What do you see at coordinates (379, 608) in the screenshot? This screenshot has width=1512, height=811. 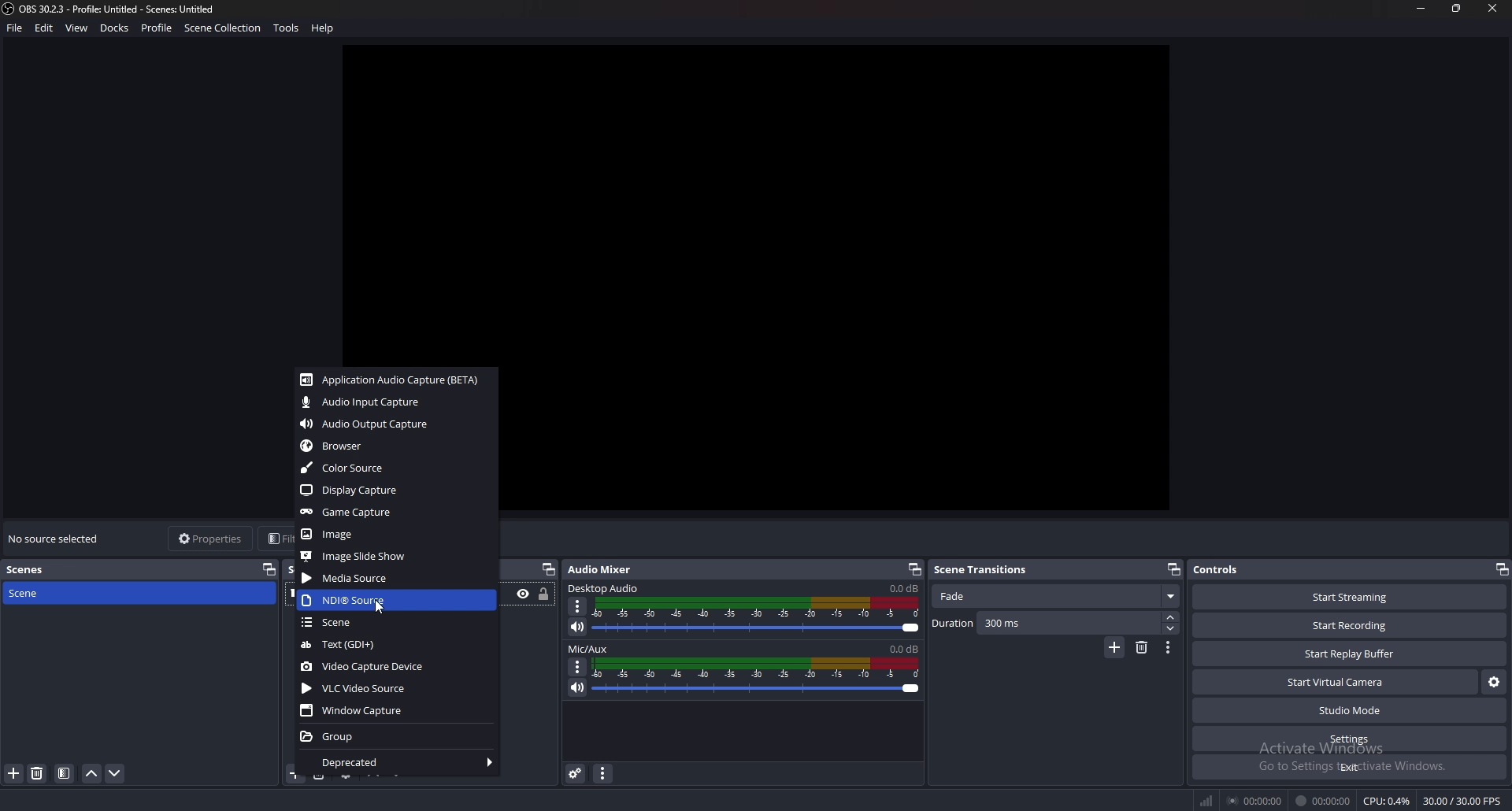 I see `Cursor` at bounding box center [379, 608].